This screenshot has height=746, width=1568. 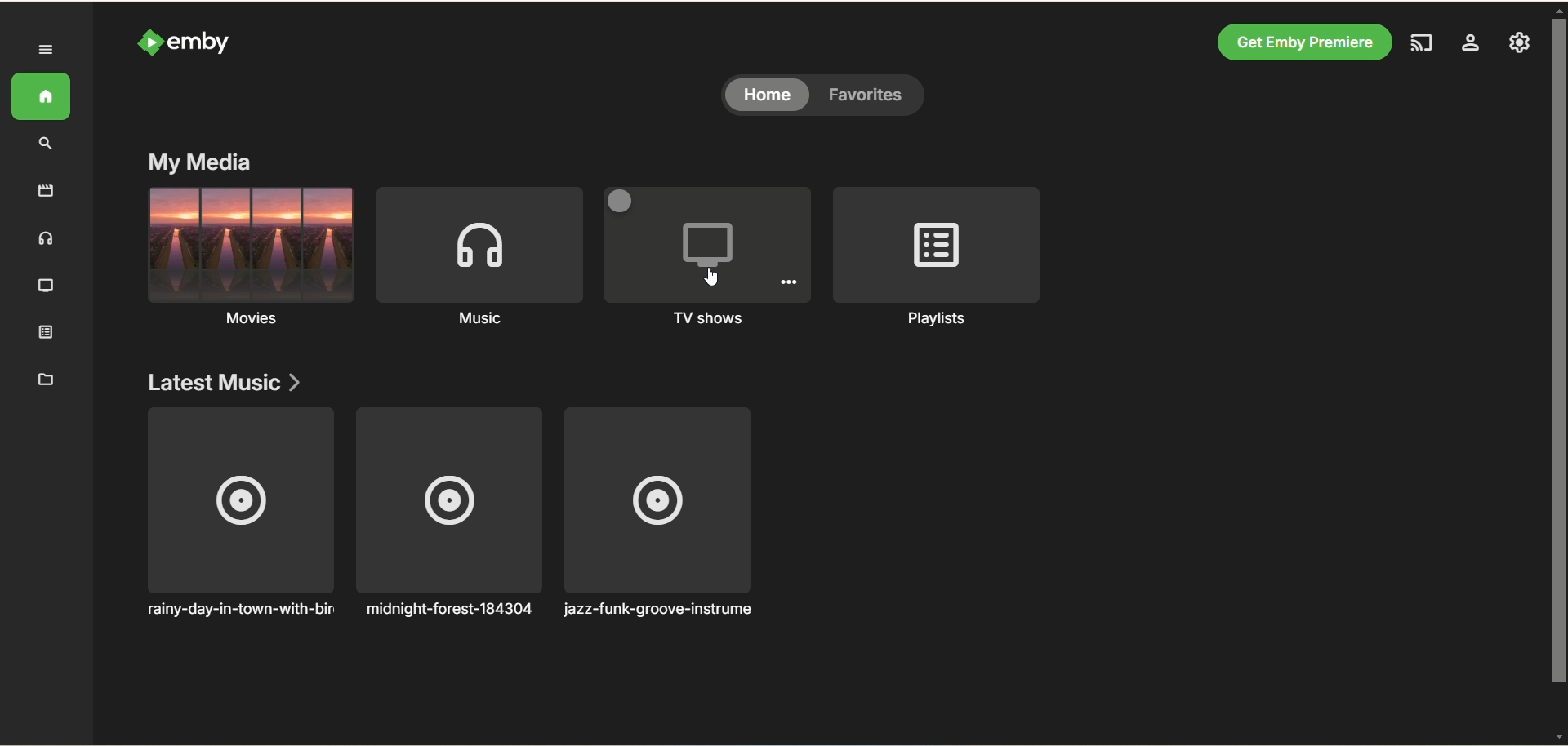 What do you see at coordinates (198, 162) in the screenshot?
I see `my media` at bounding box center [198, 162].